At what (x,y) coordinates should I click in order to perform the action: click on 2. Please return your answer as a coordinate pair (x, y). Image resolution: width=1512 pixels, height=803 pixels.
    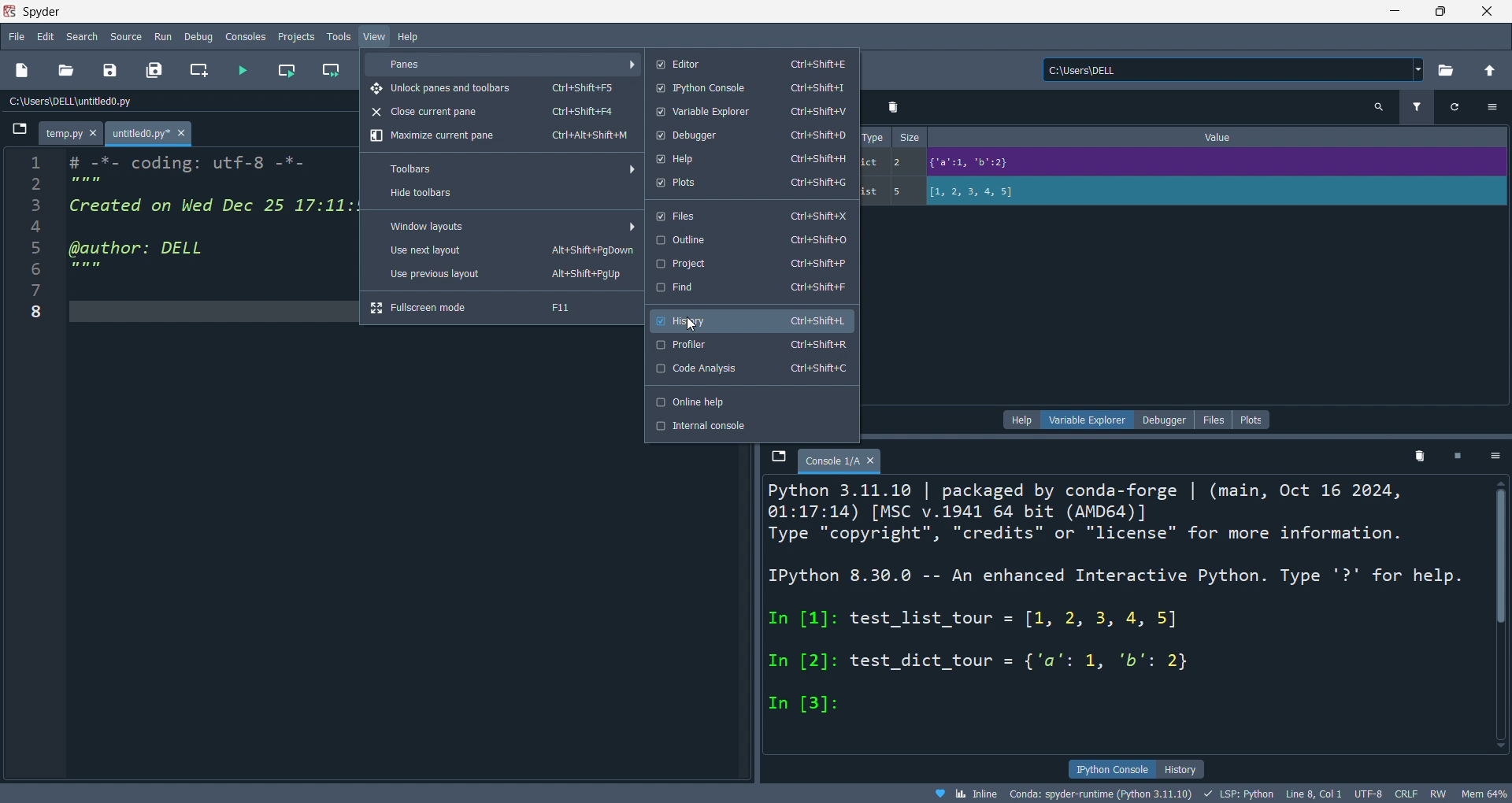
    Looking at the image, I should click on (903, 161).